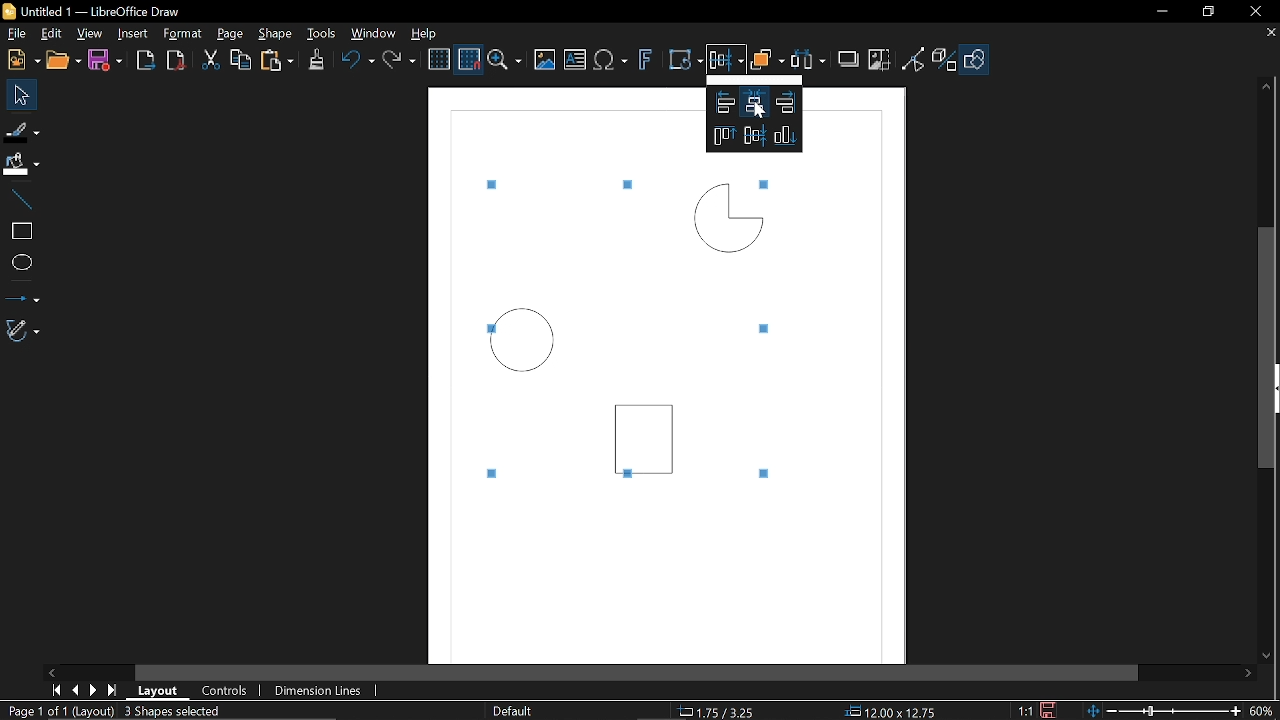 The image size is (1280, 720). What do you see at coordinates (19, 96) in the screenshot?
I see `Select` at bounding box center [19, 96].